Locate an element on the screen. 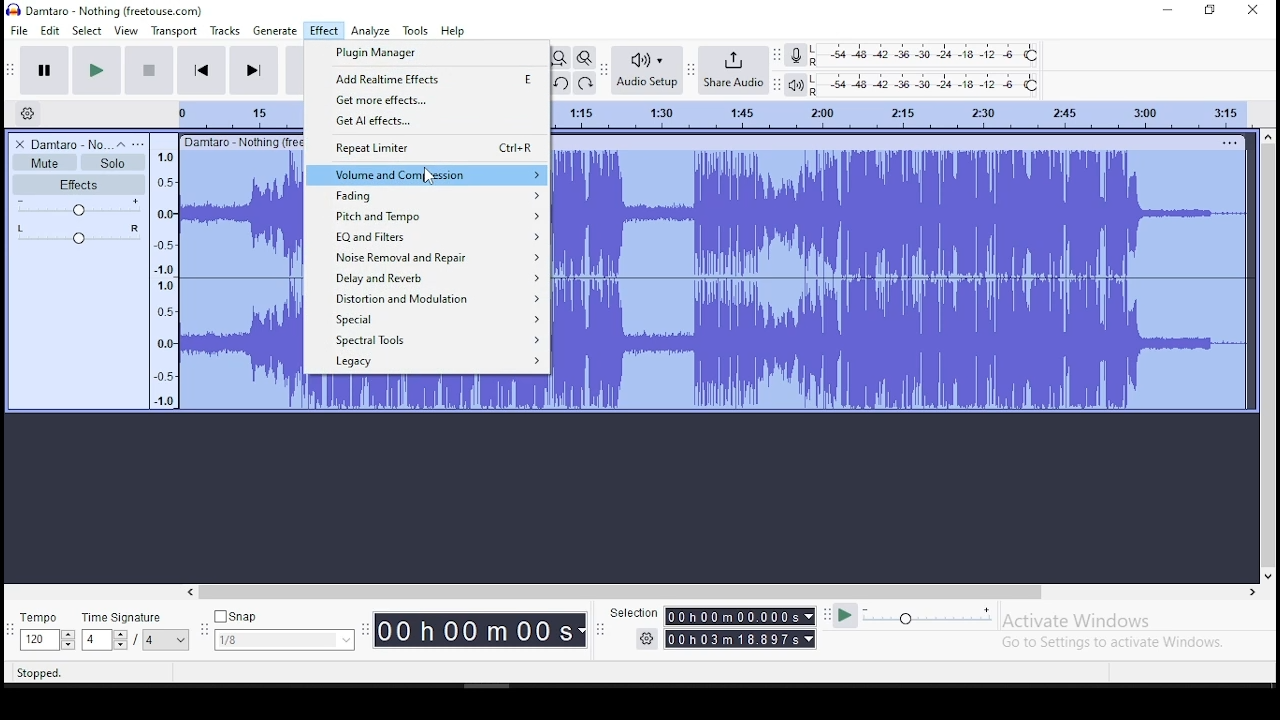 The image size is (1280, 720). track time is located at coordinates (901, 112).